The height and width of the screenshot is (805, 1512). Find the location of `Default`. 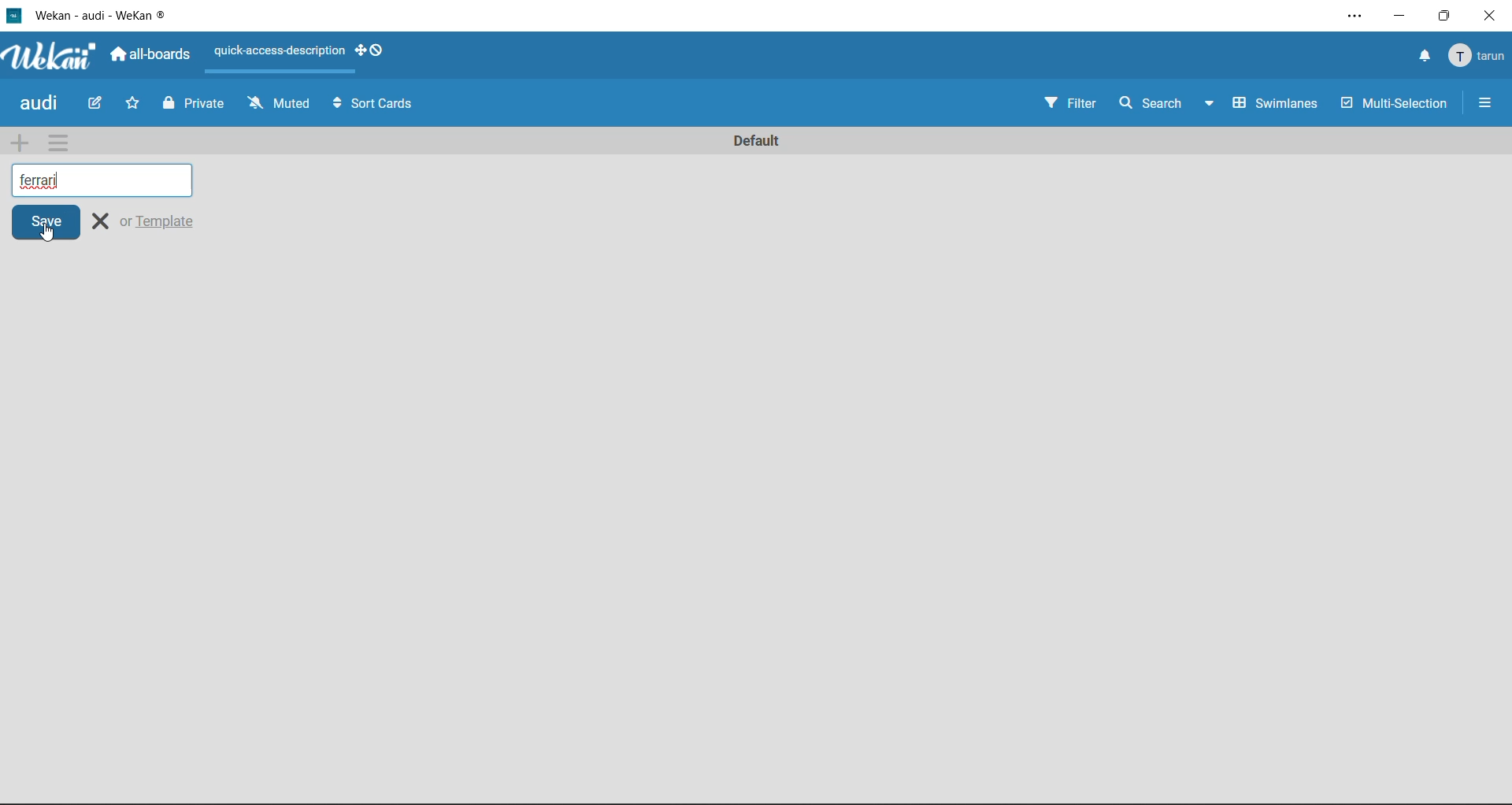

Default is located at coordinates (877, 142).